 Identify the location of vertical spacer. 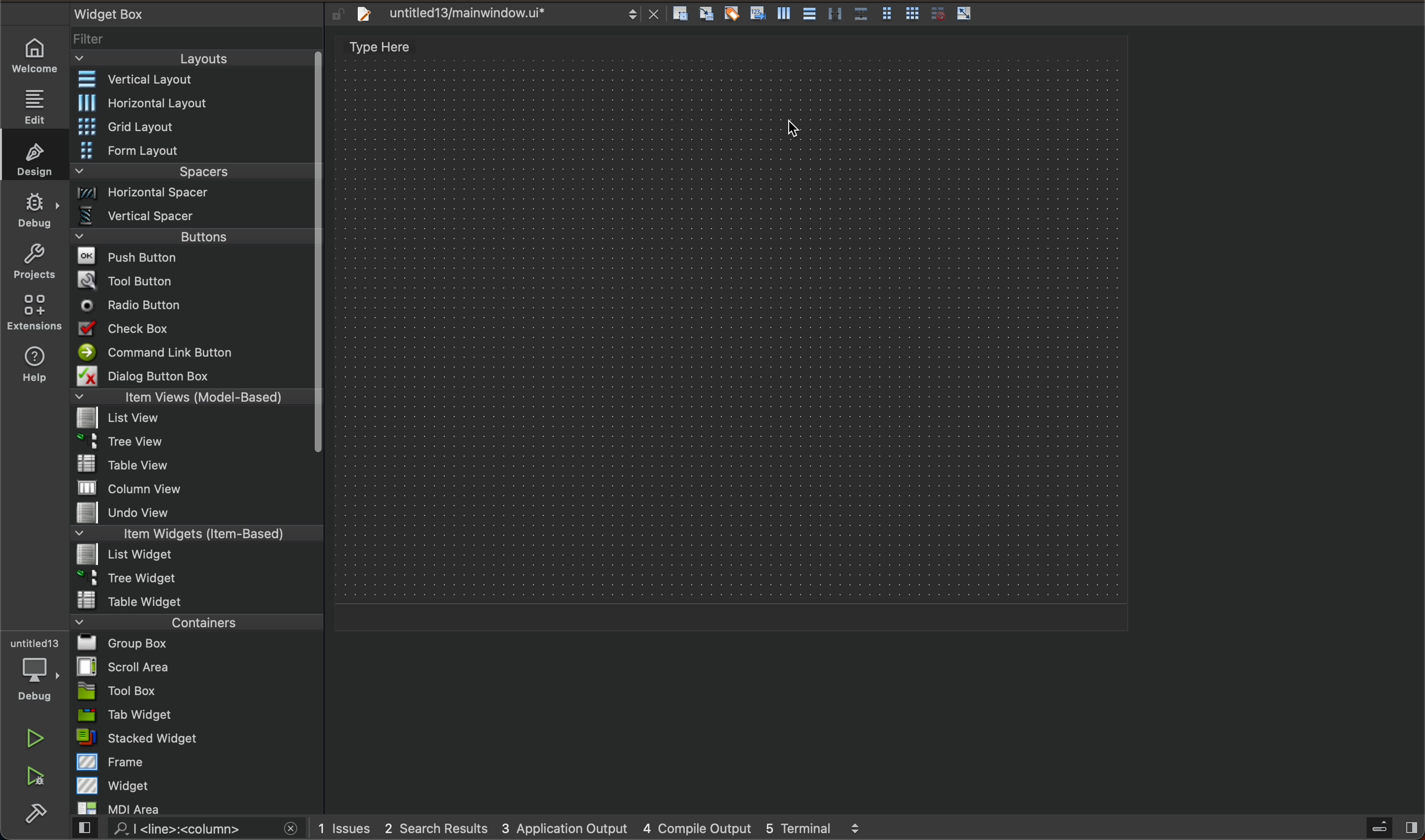
(192, 216).